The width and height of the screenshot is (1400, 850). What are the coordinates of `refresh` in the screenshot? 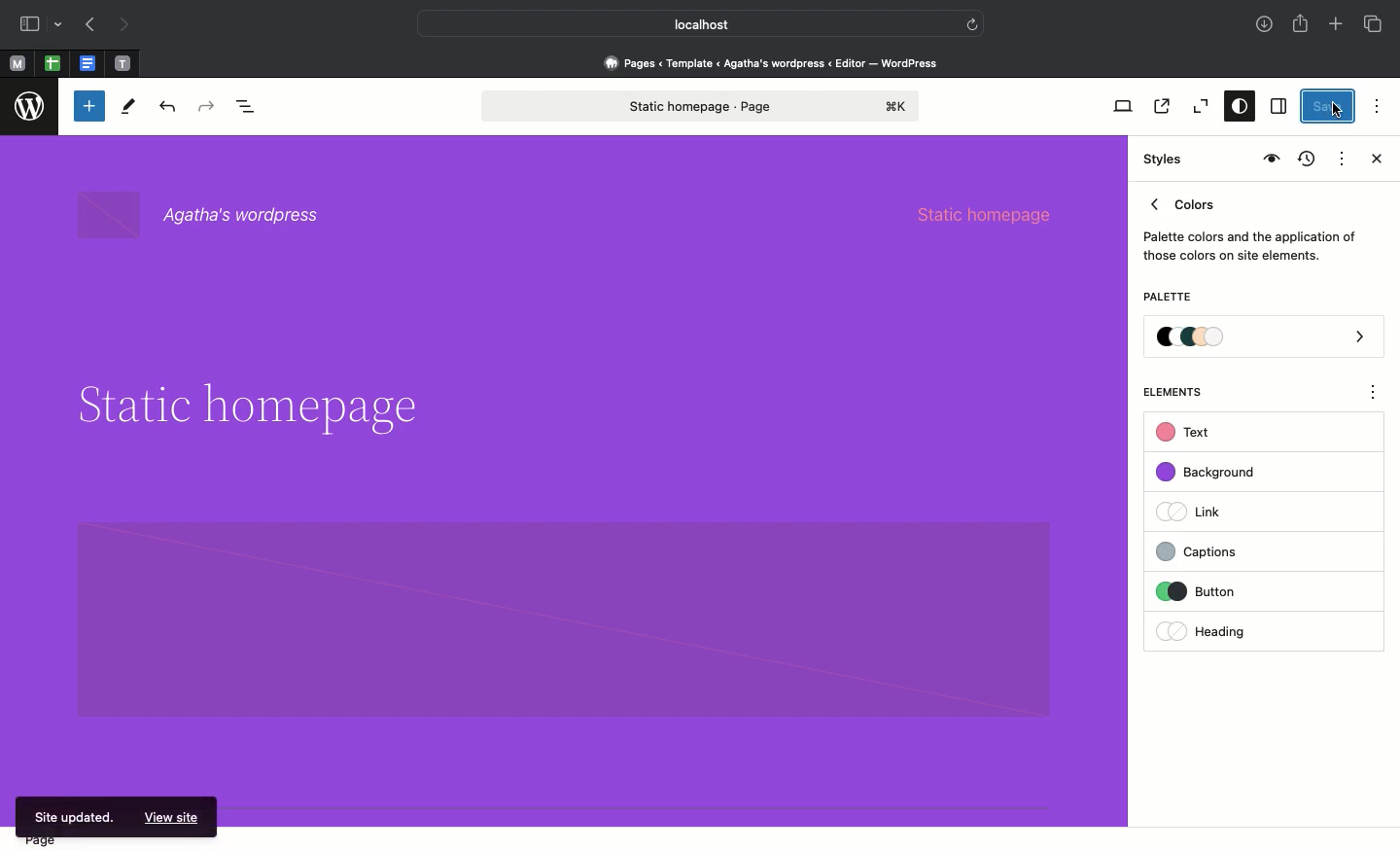 It's located at (972, 22).